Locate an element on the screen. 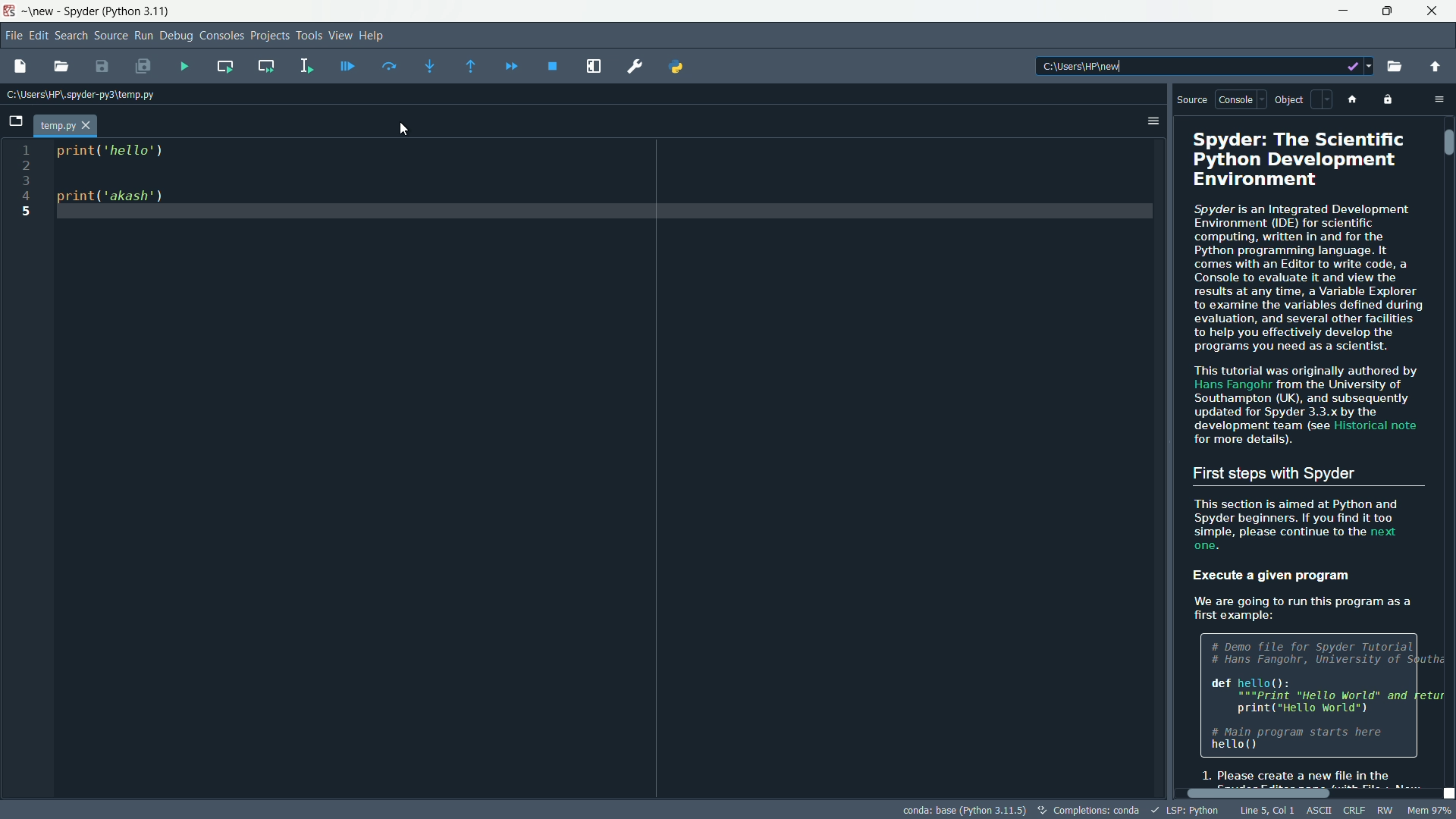  Spyder: The Scientific Python Development Environment Spyder is an Integrated Development Environment (IDE) for scientific computing, written in and for the Python programming language. It comes with an Editor to write code, a Console to evaluate it and view the results at any time, a Variable Explorer to examine the variables defined during evaluation, and several other facilities to help you effectively develop the programs you need as a scientist.  This tutorial was originally authored by Hans Fangohr from the University of Southampton (UK), and subsequently updated for Spyder 3.3.x by the development team (see Historical note for more details).  First steps with Spyder This section is aimed at Python and Spyder beginners. If you find it too simple, please continue to the next one.  Execute a given program We are going to run this program as a first example:  # Demo file for Spyder Tutorial # Hans Fangohr, University of Southampton, UK  def hello():     """Print "Hello World" and return None."""     print("Hello World")  # Main program starts here hello() is located at coordinates (1307, 452).